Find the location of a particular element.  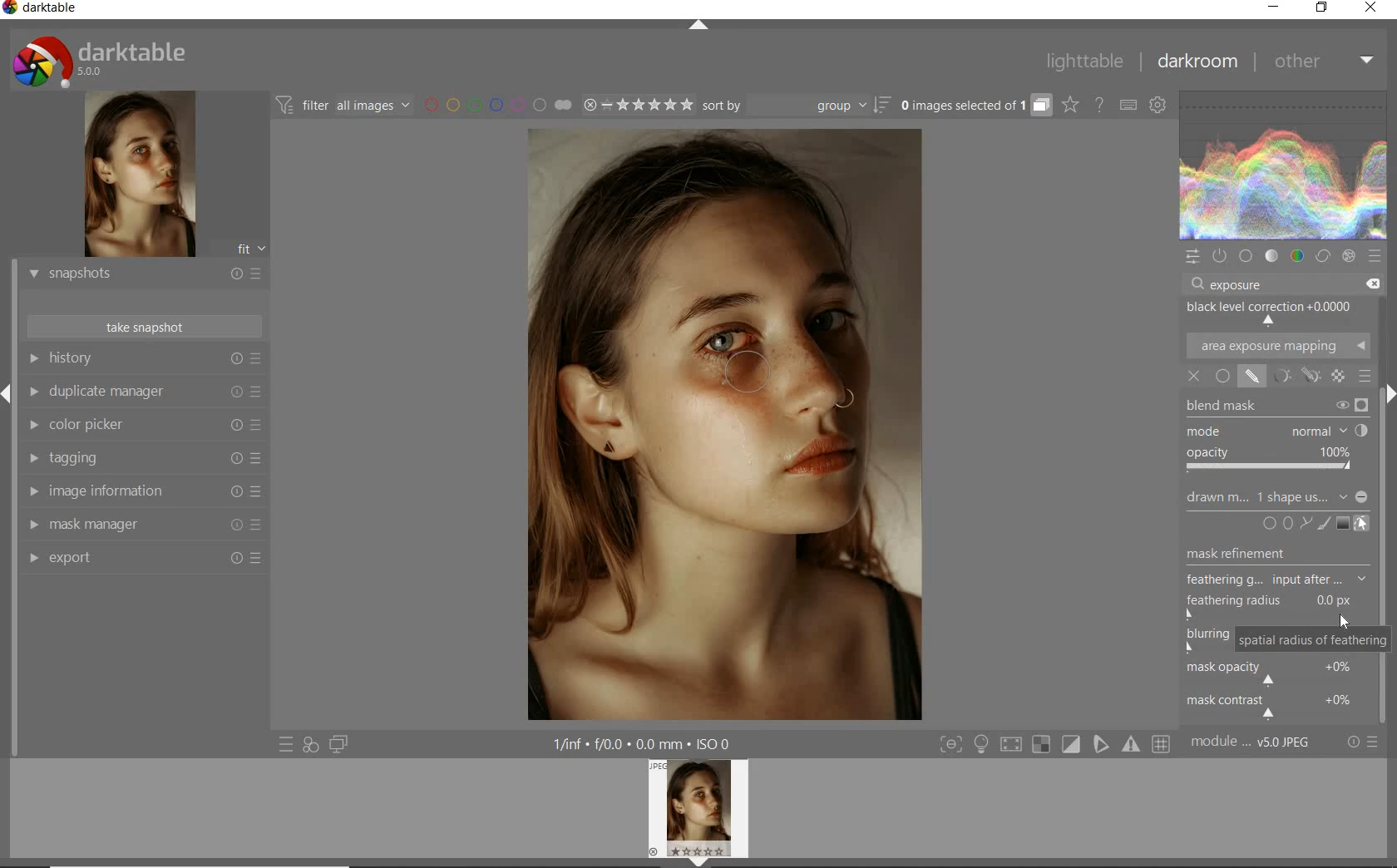

BLEND MASK is located at coordinates (1276, 406).